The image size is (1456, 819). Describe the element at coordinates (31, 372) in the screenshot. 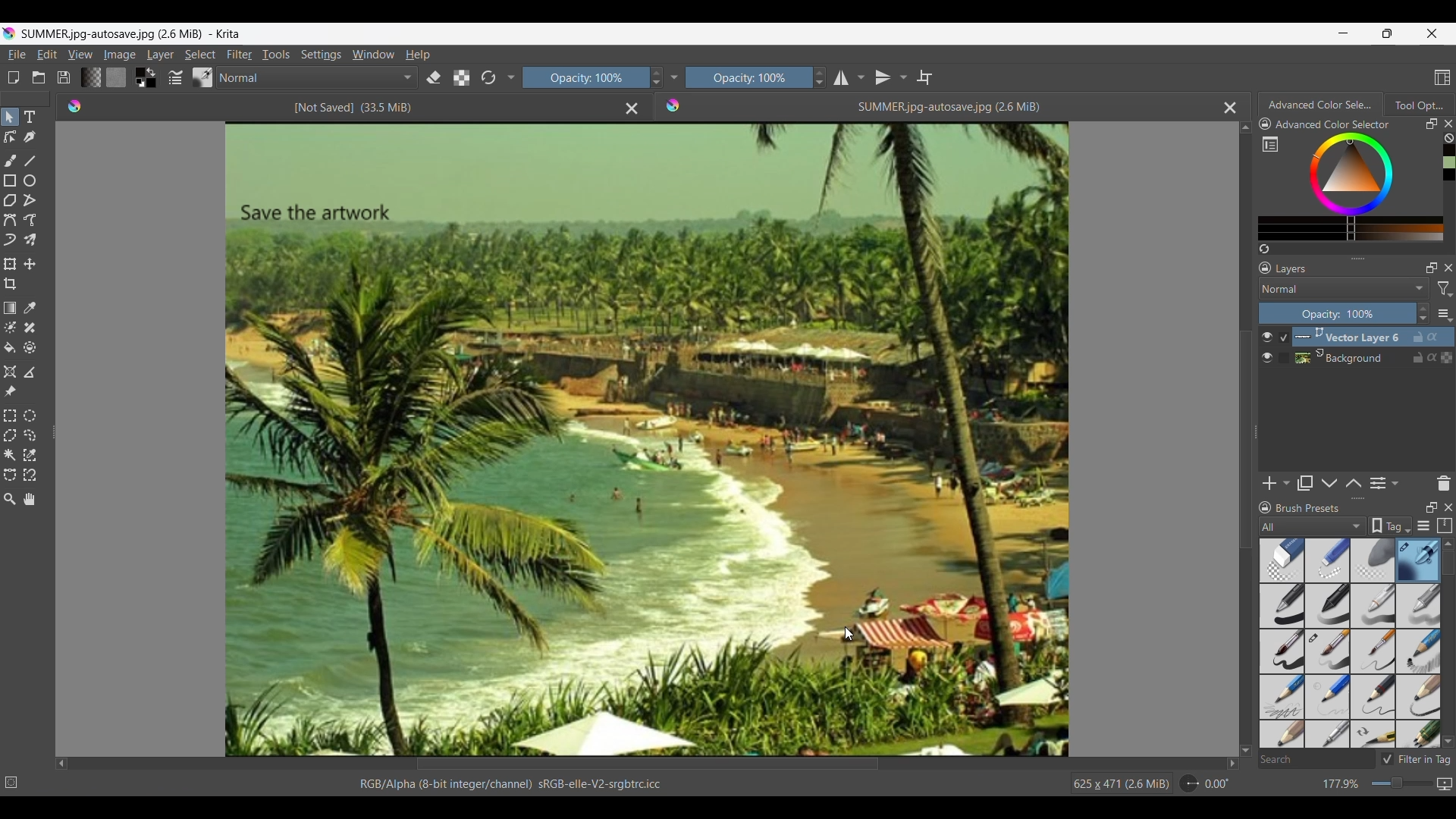

I see `Measure distance between two points` at that location.